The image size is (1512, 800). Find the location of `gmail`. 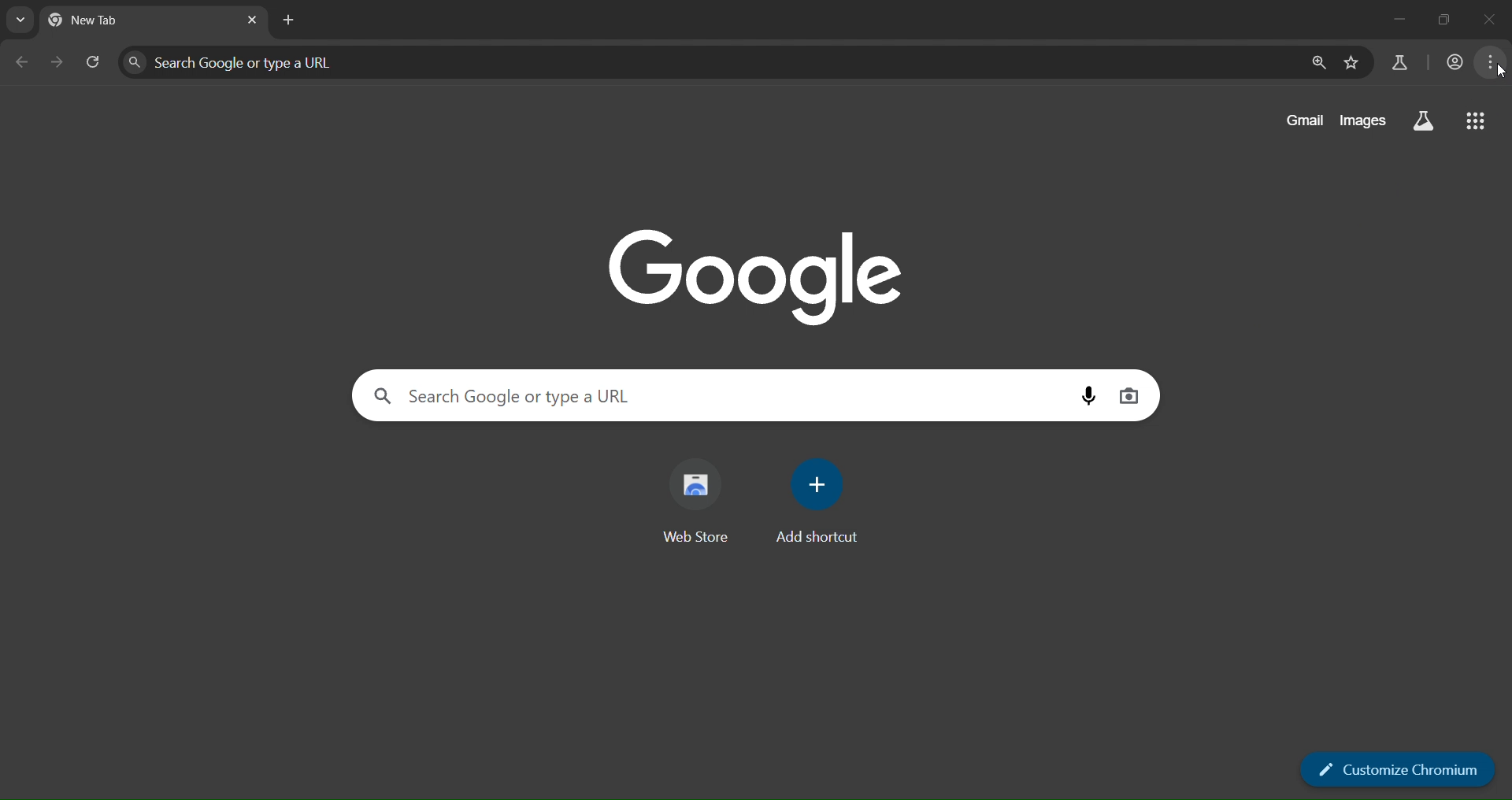

gmail is located at coordinates (1301, 118).